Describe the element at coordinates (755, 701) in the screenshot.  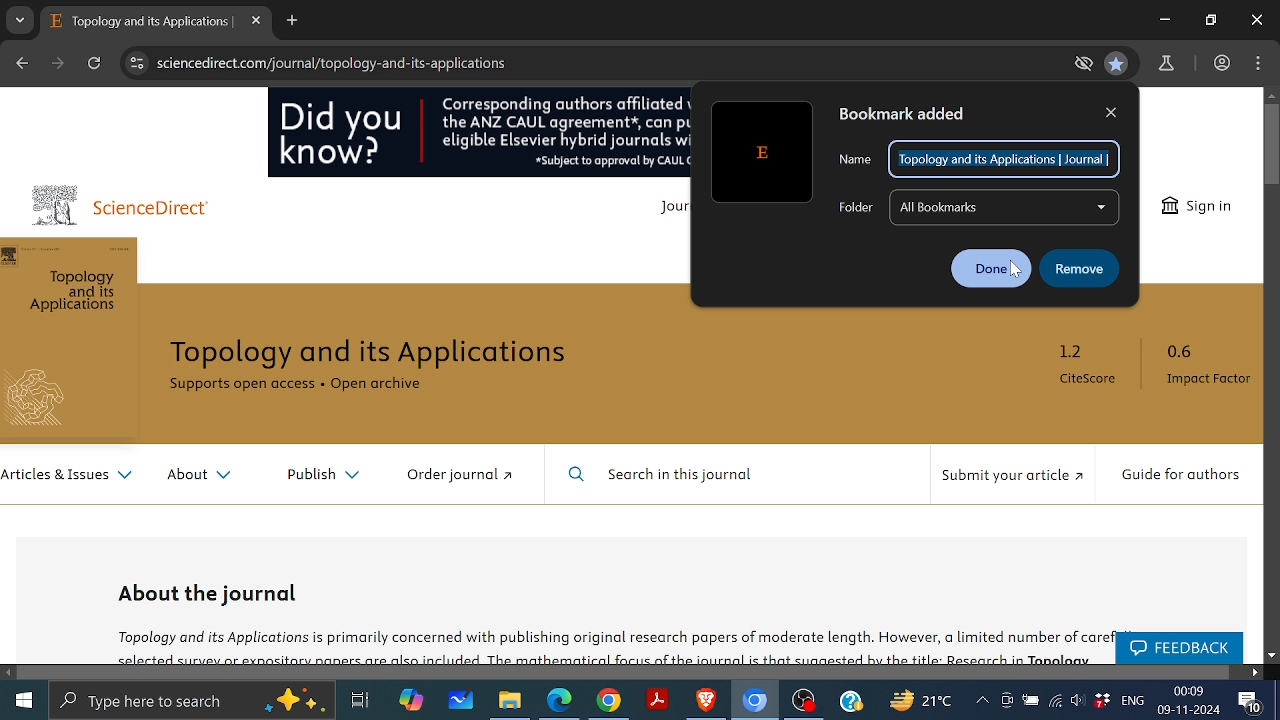
I see `Chromium` at that location.